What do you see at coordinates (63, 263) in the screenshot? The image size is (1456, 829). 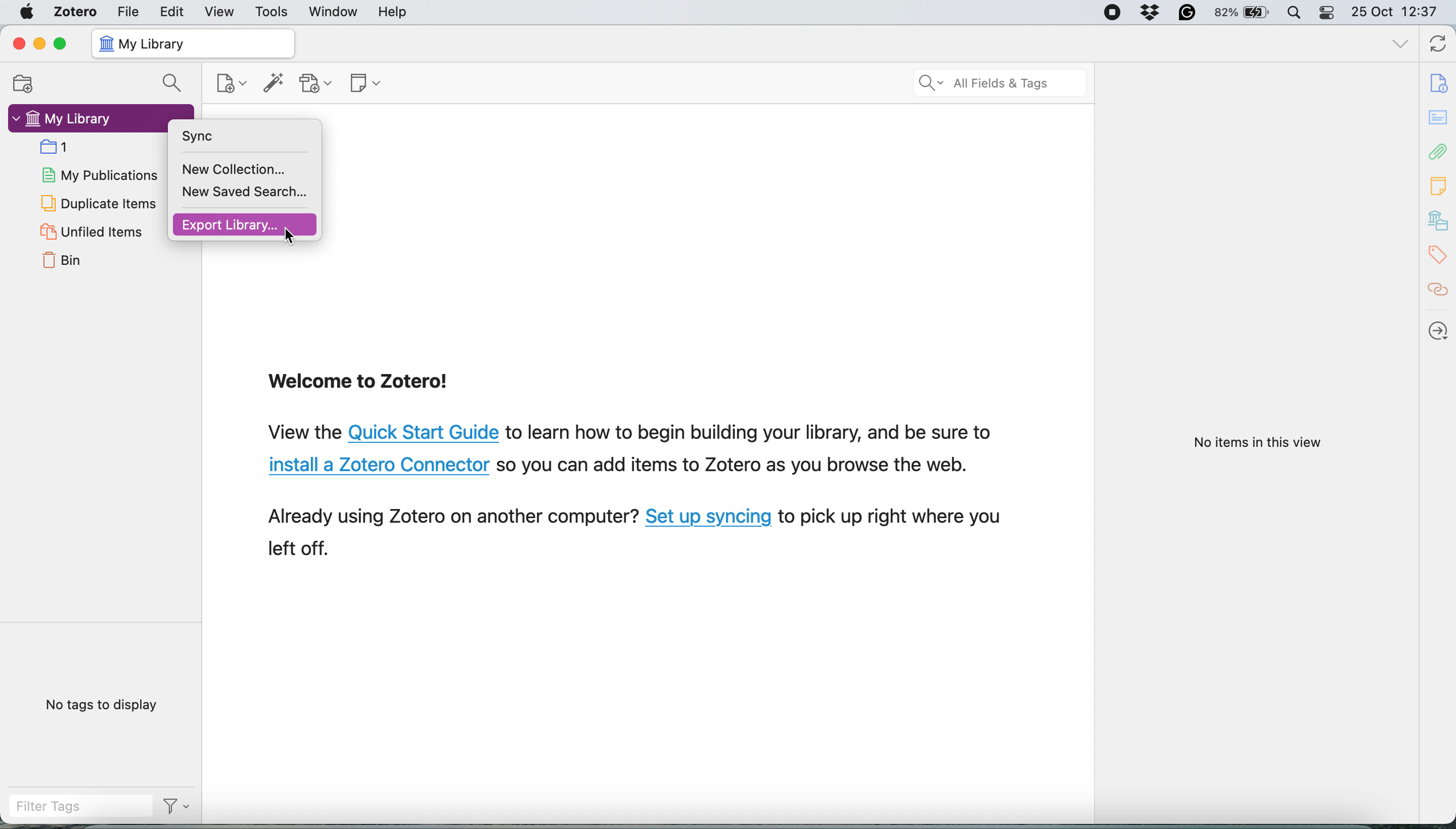 I see `bin` at bounding box center [63, 263].